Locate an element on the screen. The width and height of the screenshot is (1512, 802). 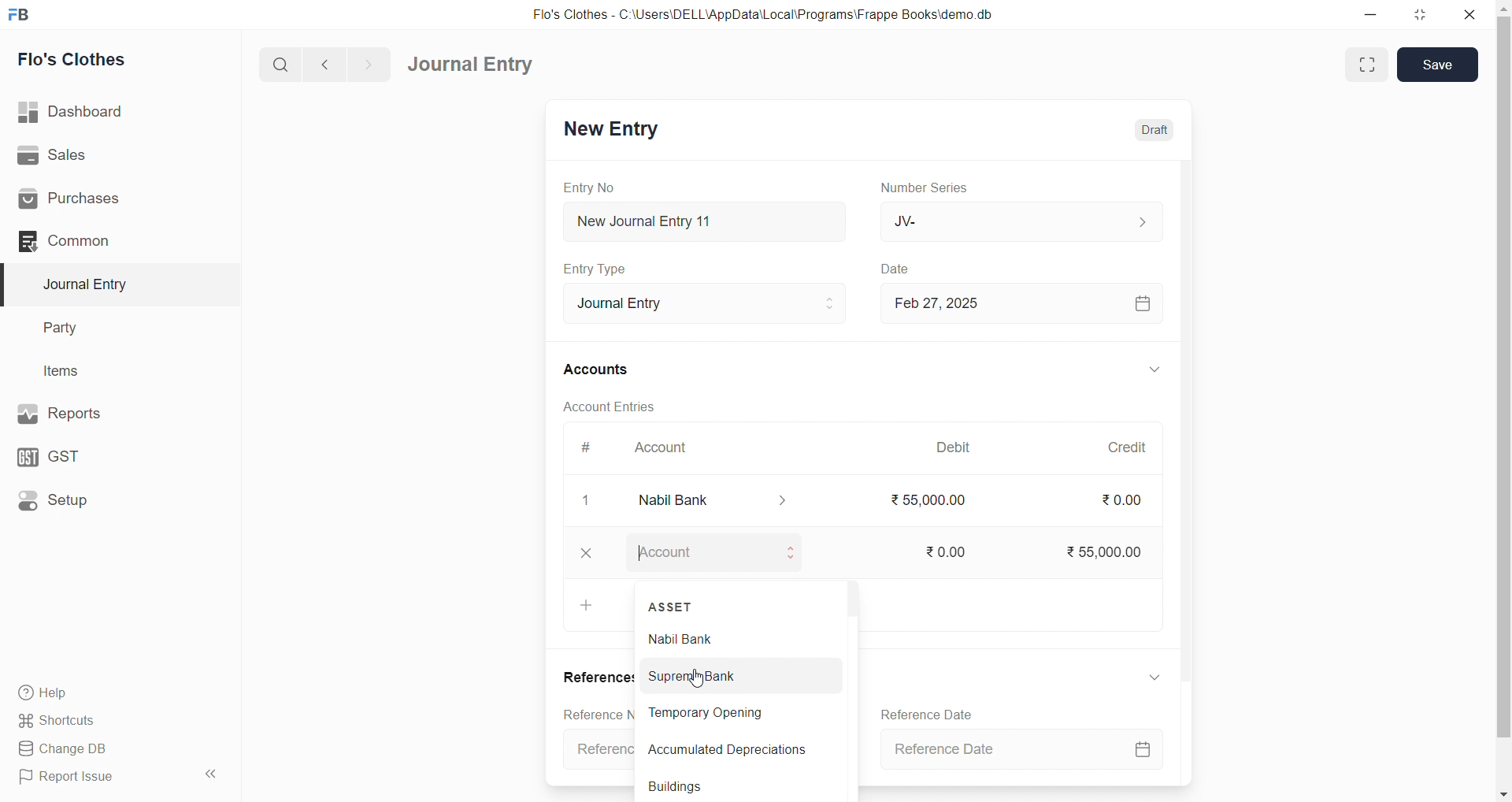
References is located at coordinates (599, 675).